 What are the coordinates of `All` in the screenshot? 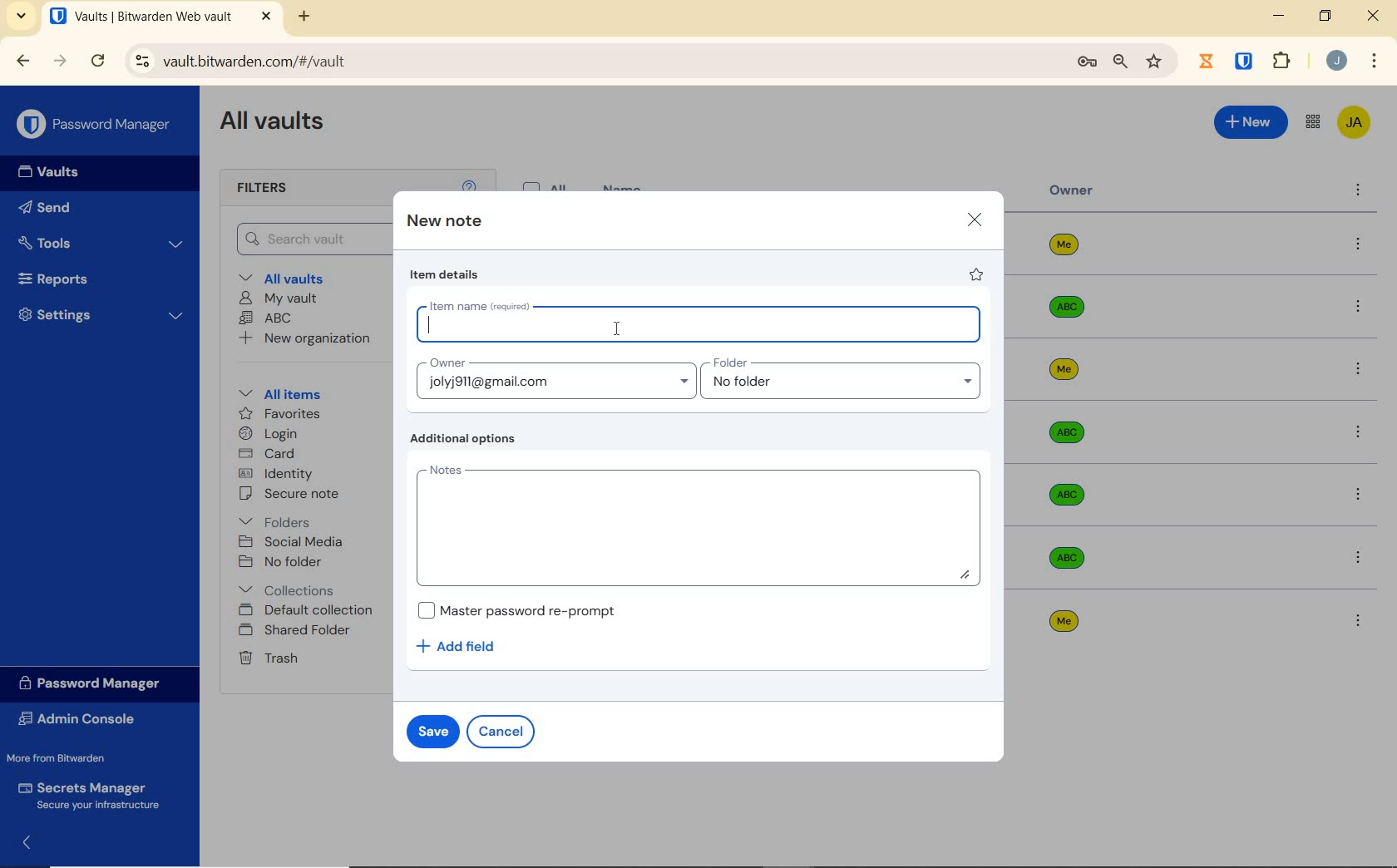 It's located at (548, 184).